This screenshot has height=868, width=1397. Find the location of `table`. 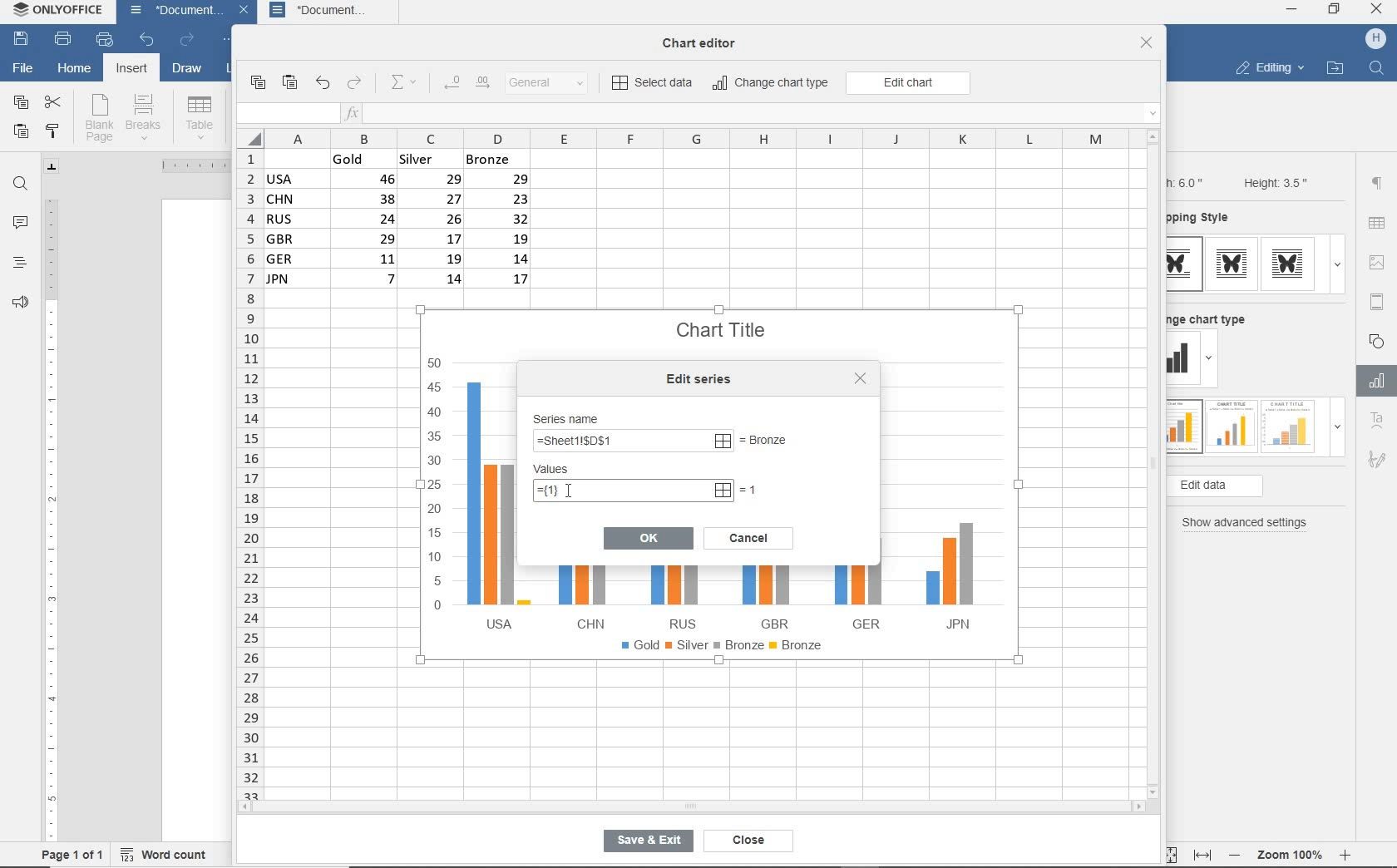

table is located at coordinates (200, 117).